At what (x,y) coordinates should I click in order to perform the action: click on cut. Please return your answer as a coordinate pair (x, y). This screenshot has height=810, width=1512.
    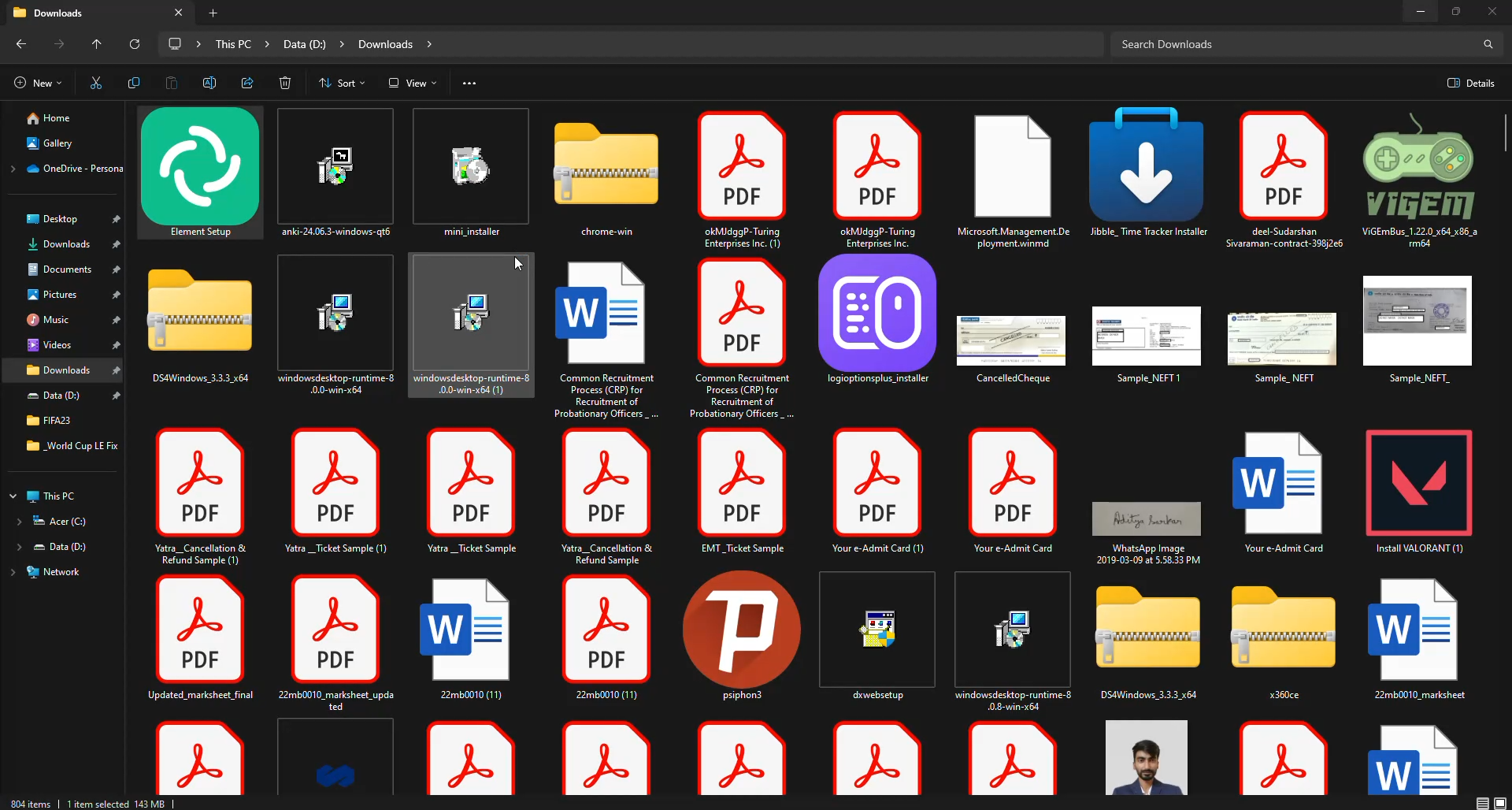
    Looking at the image, I should click on (97, 85).